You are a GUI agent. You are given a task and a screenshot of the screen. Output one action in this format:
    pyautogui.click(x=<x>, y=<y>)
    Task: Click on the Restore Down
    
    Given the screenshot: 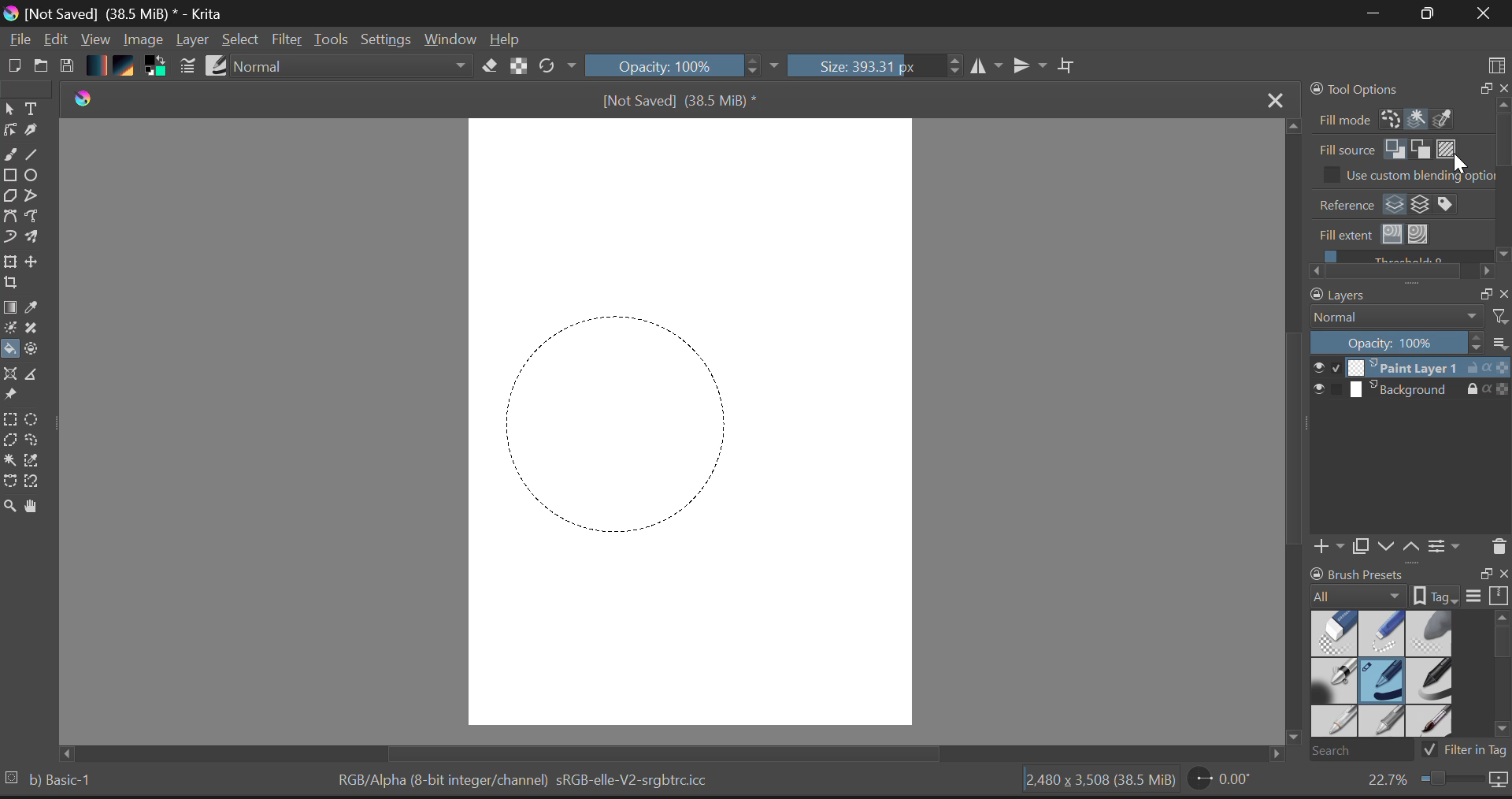 What is the action you would take?
    pyautogui.click(x=1371, y=14)
    